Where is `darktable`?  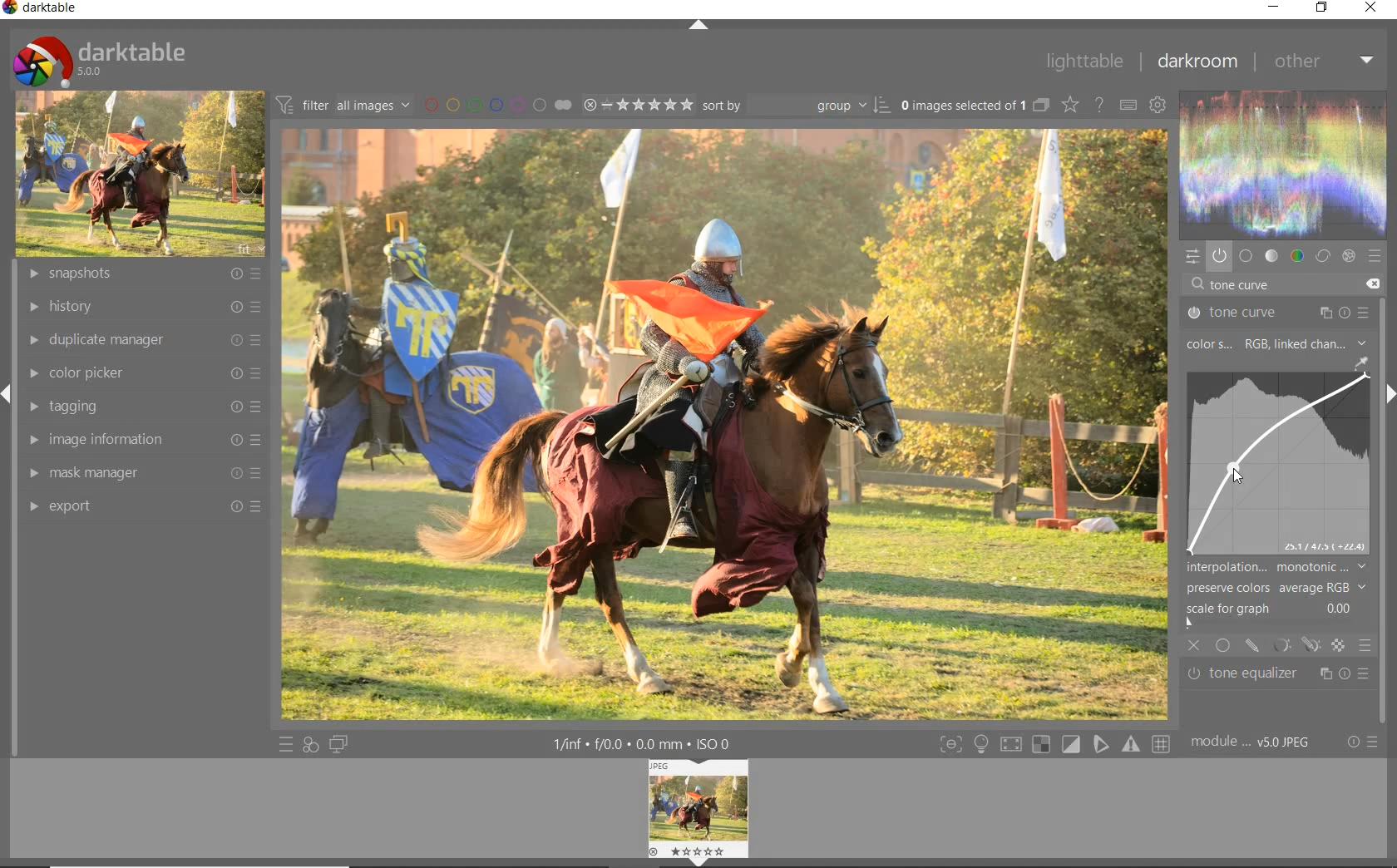
darktable is located at coordinates (45, 10).